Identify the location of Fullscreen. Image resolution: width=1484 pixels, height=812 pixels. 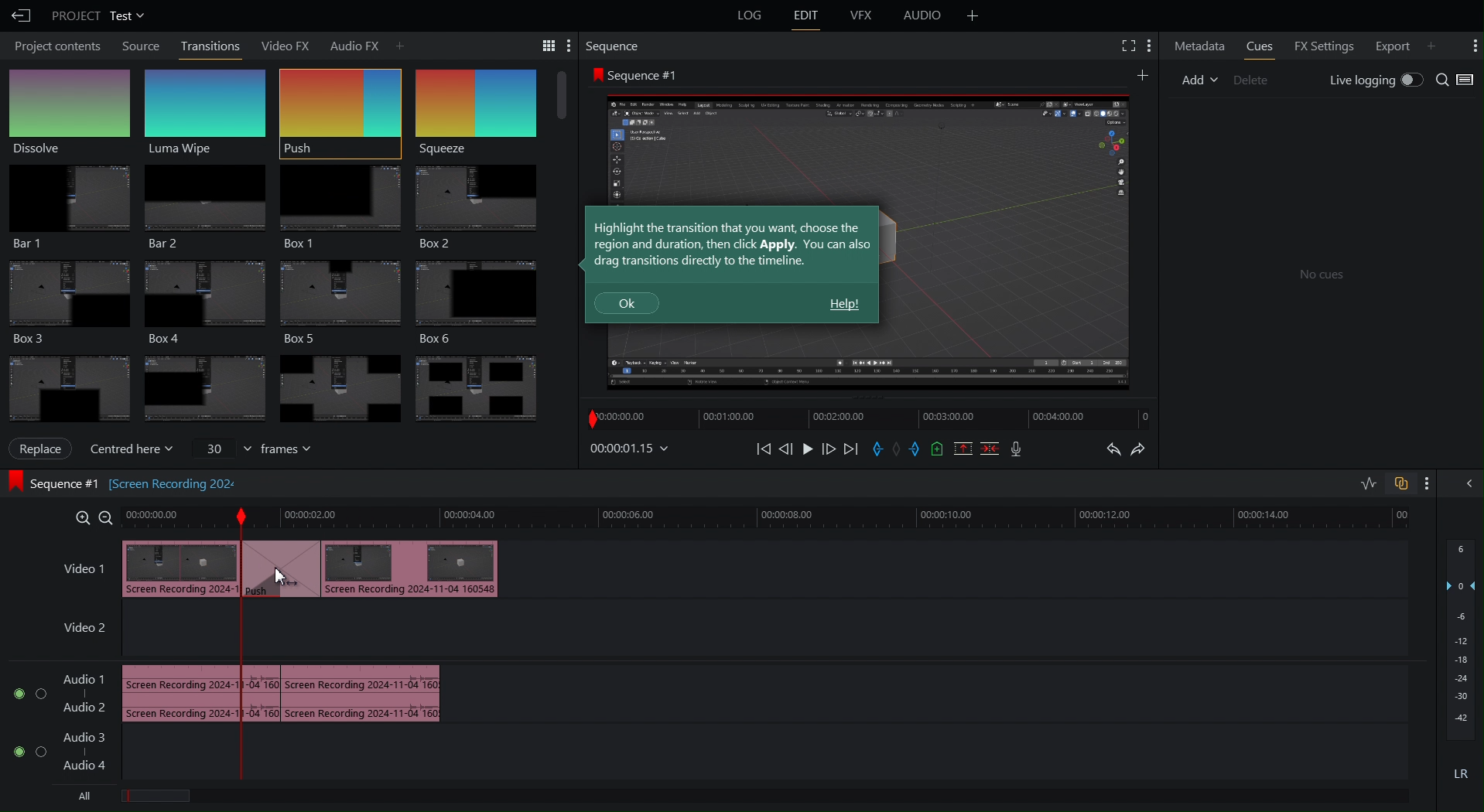
(1126, 44).